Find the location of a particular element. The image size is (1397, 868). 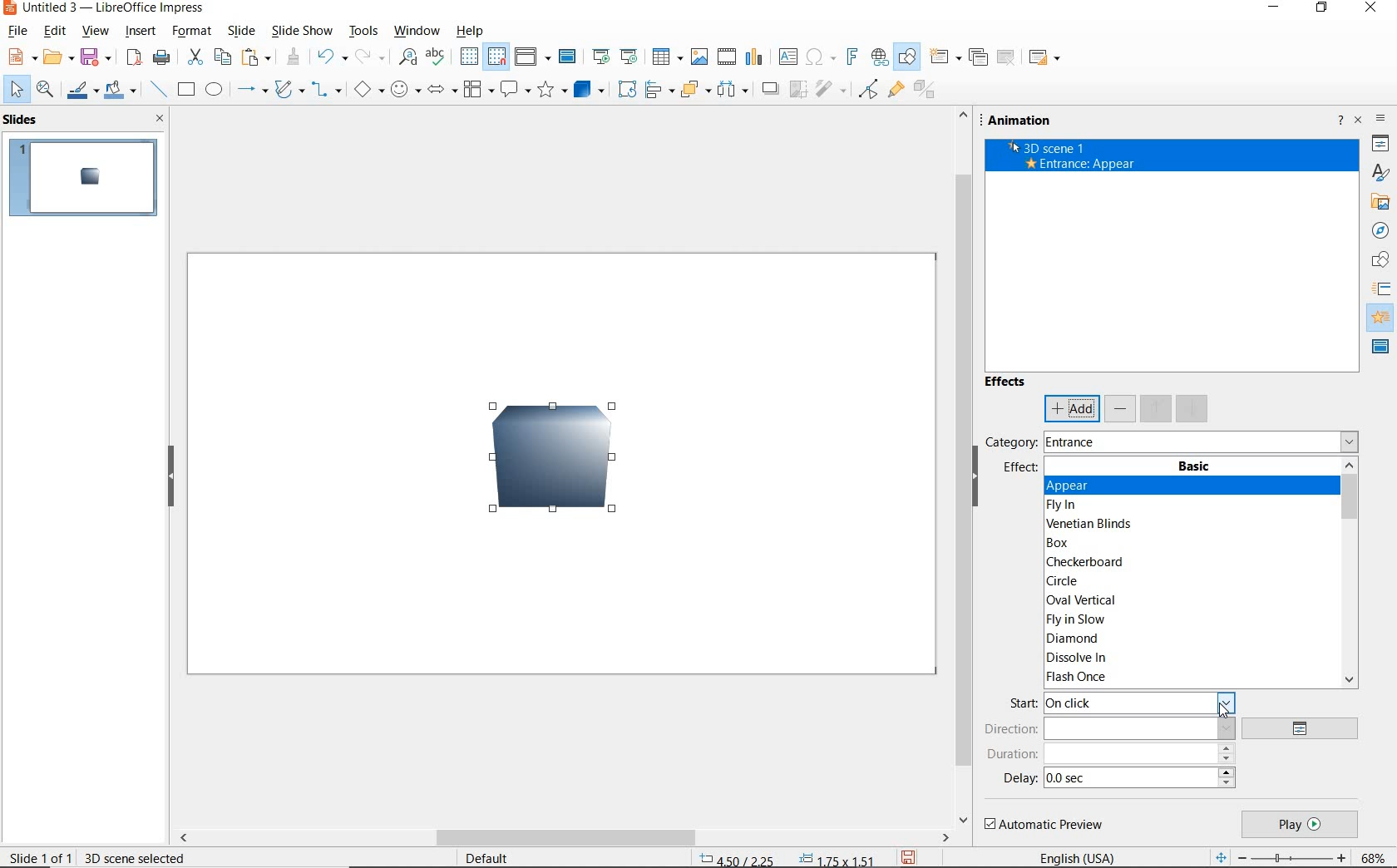

open is located at coordinates (61, 57).